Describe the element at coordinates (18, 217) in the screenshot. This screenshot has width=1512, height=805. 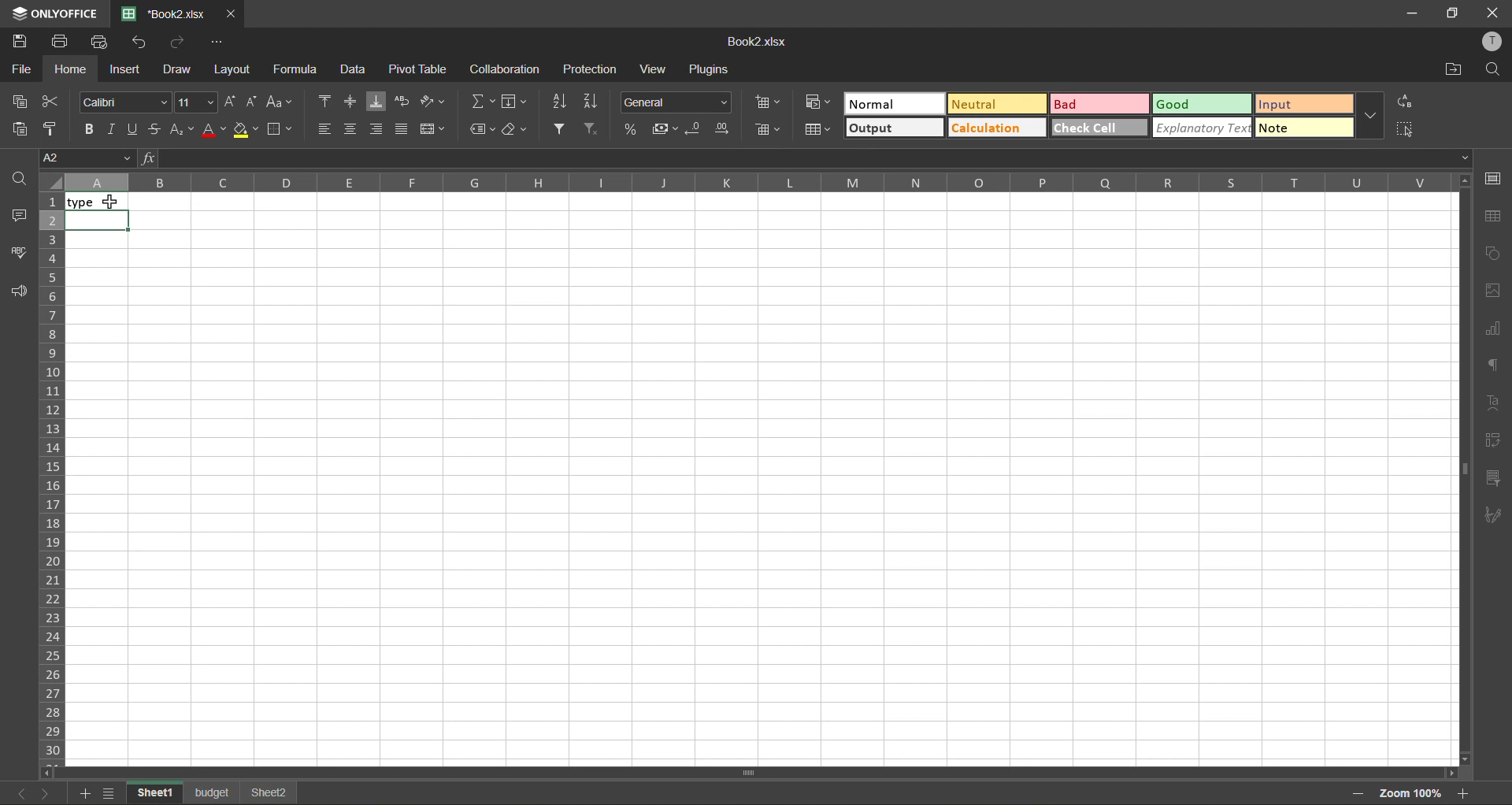
I see `comments` at that location.